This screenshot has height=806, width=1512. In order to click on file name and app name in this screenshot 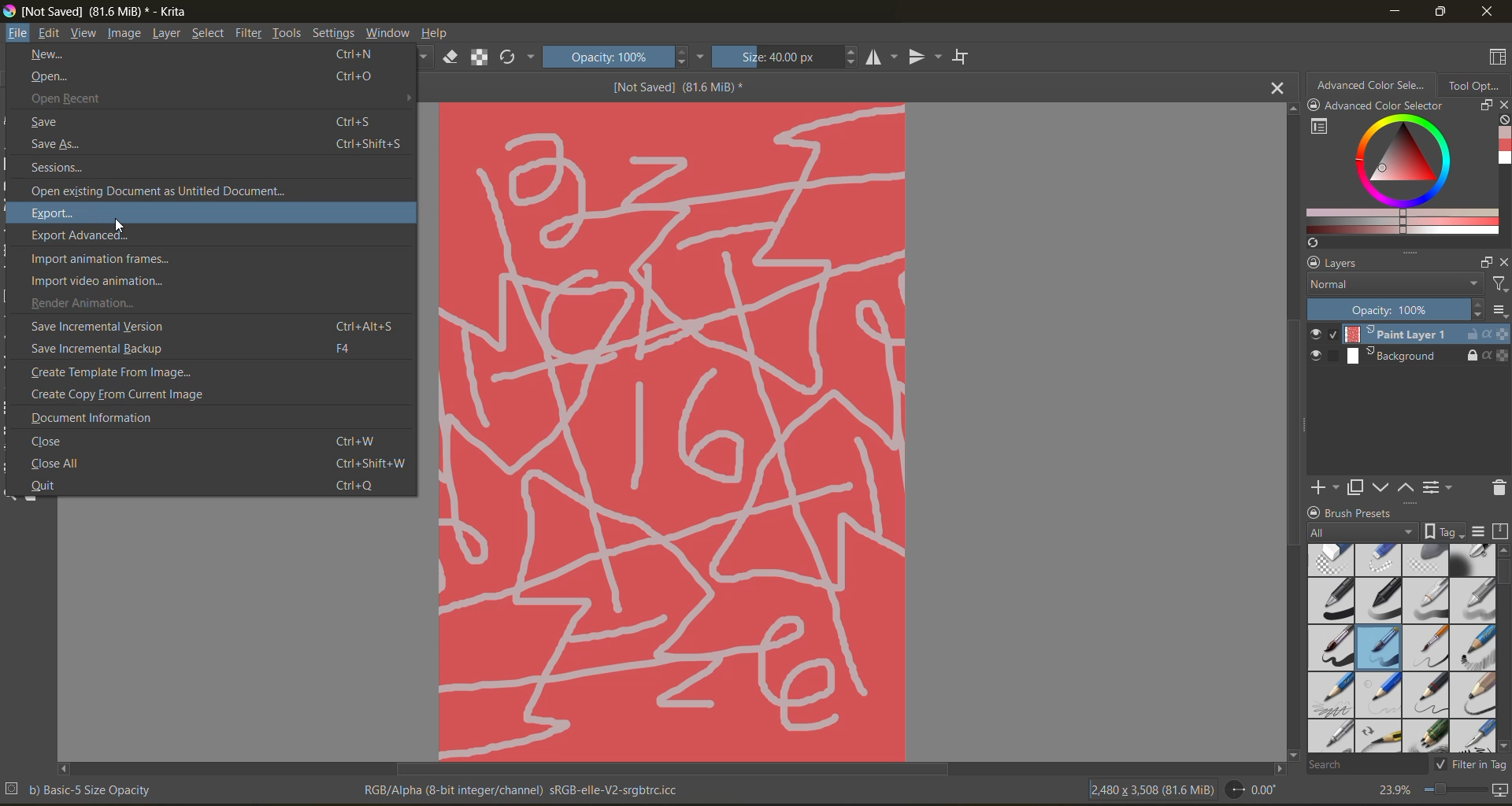, I will do `click(100, 9)`.